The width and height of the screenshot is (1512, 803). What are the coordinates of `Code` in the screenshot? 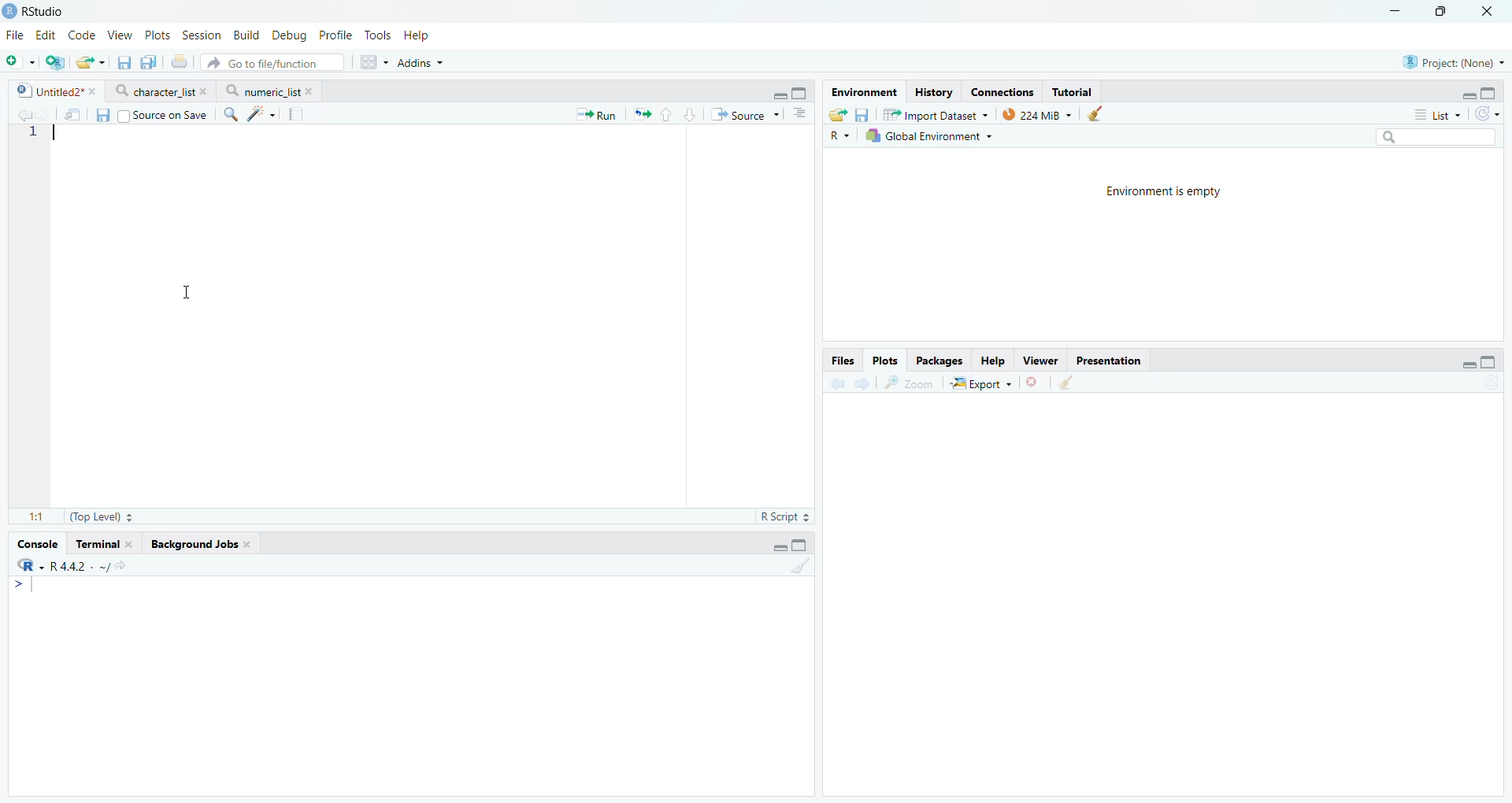 It's located at (84, 35).